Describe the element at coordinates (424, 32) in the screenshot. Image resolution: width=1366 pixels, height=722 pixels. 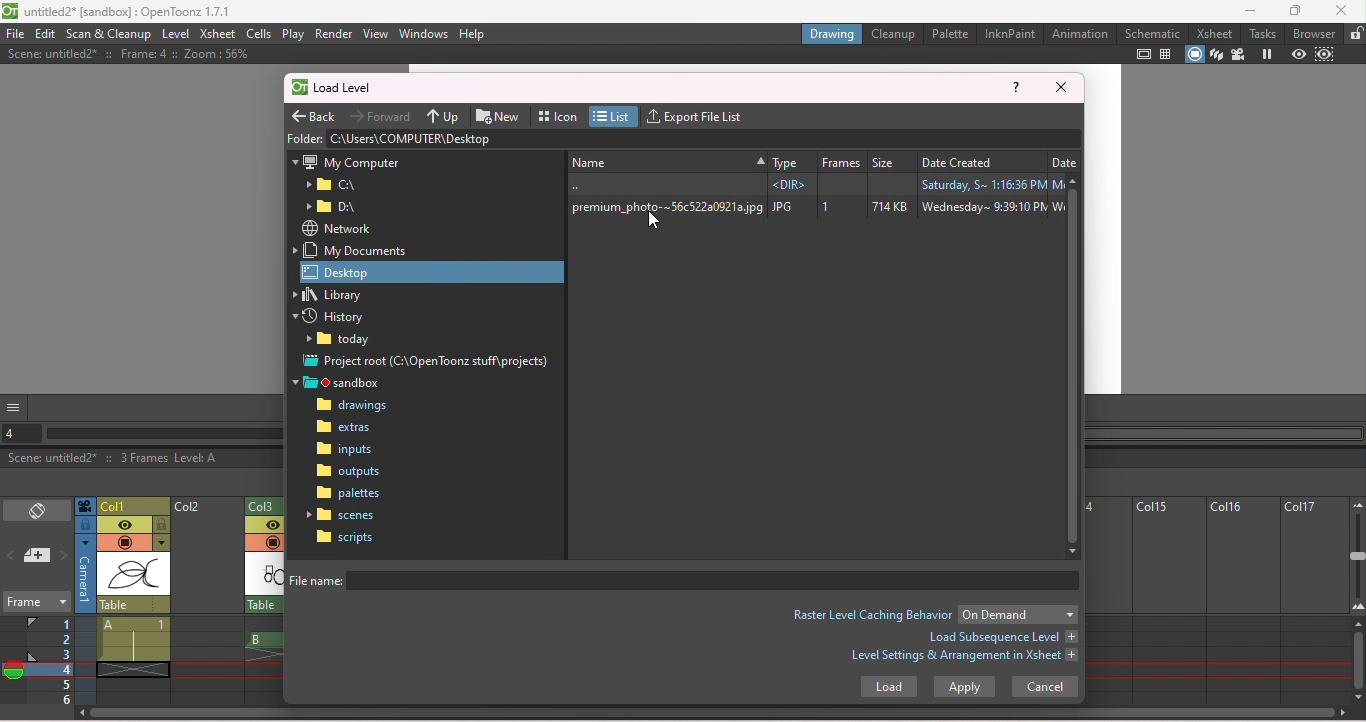
I see `Windows` at that location.